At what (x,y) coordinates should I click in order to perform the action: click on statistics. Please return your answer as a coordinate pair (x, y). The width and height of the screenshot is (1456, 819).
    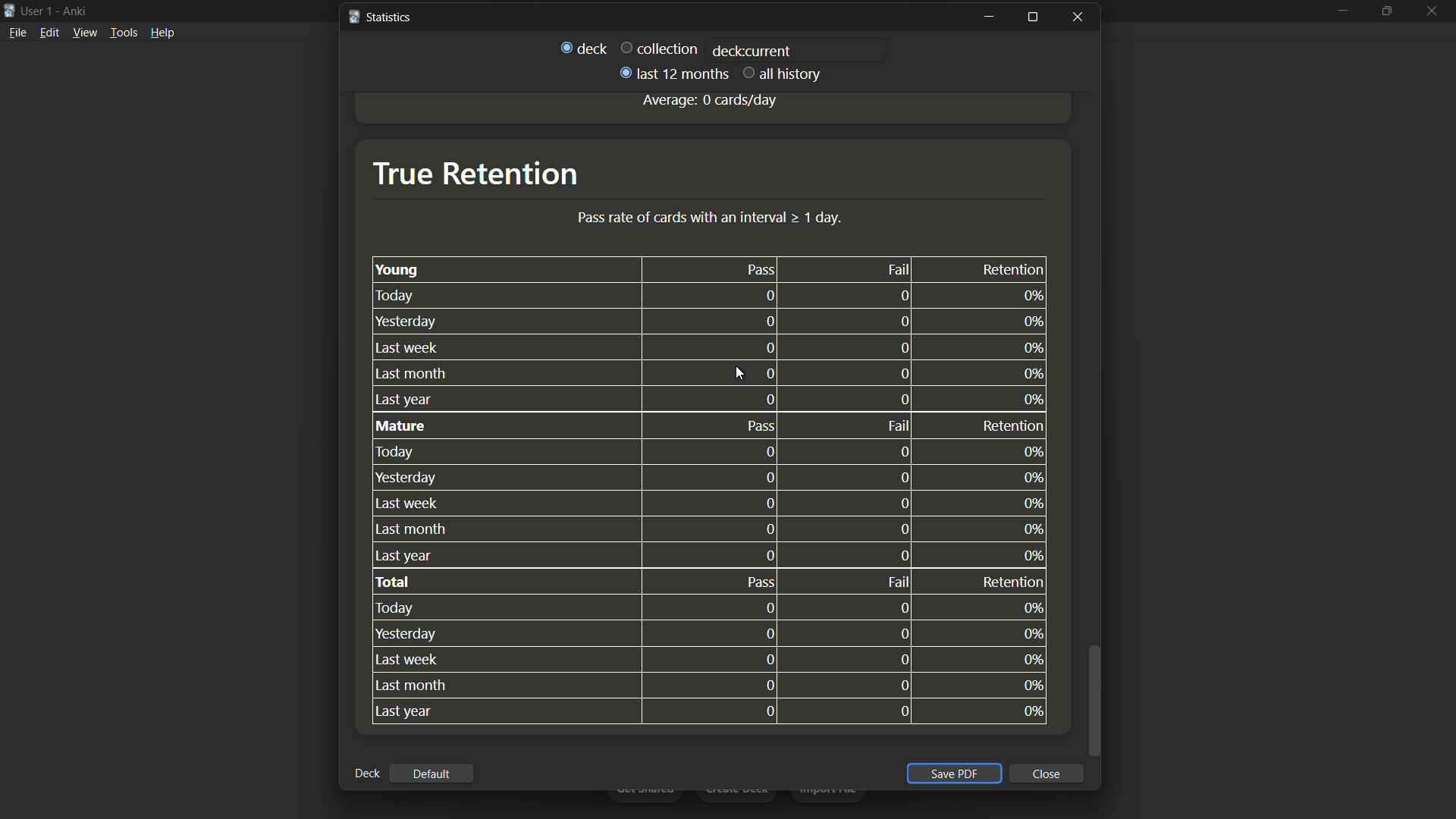
    Looking at the image, I should click on (383, 17).